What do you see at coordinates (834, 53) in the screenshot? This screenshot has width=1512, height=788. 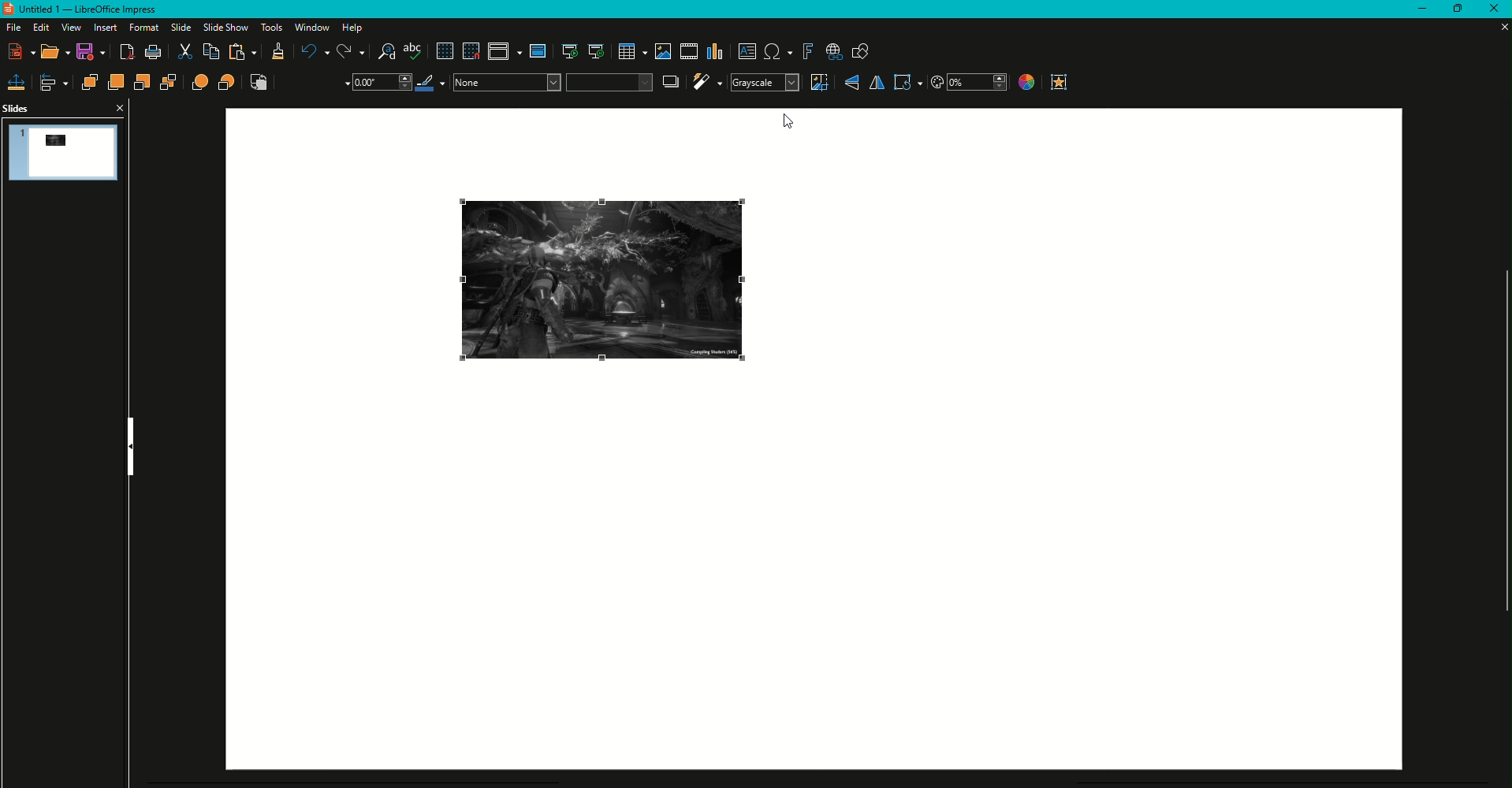 I see `Hyperlink` at bounding box center [834, 53].